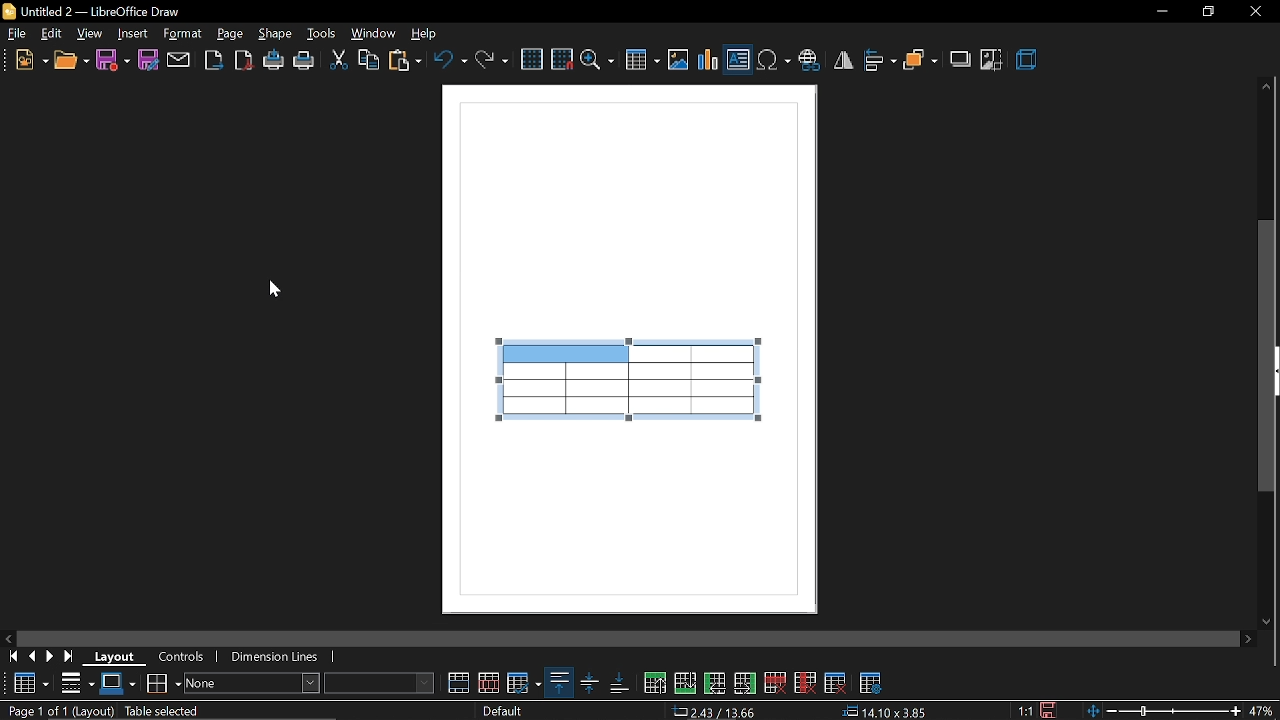  What do you see at coordinates (718, 712) in the screenshot?
I see `2.43/13.66` at bounding box center [718, 712].